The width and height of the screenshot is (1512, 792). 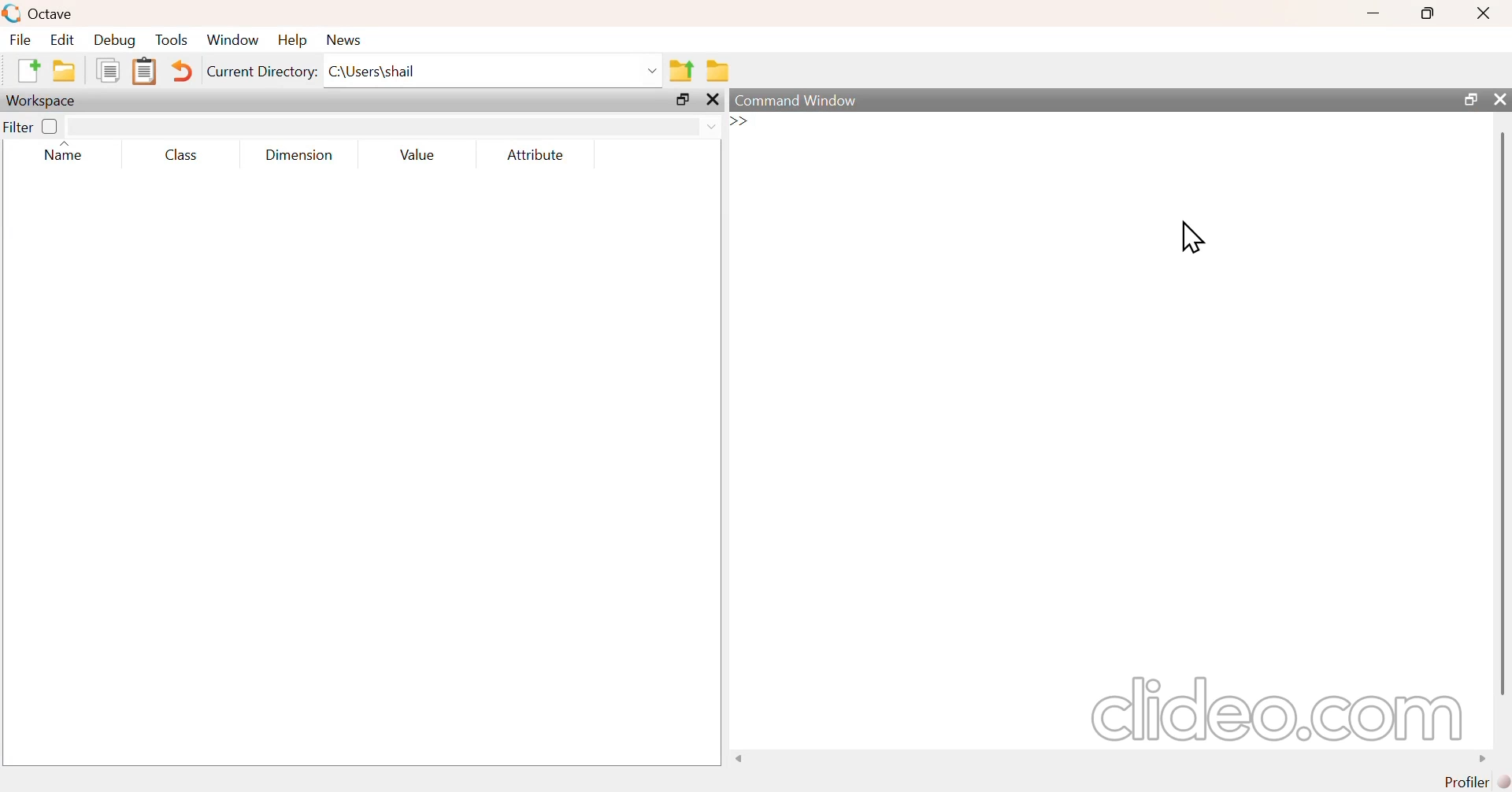 What do you see at coordinates (23, 69) in the screenshot?
I see `new script` at bounding box center [23, 69].